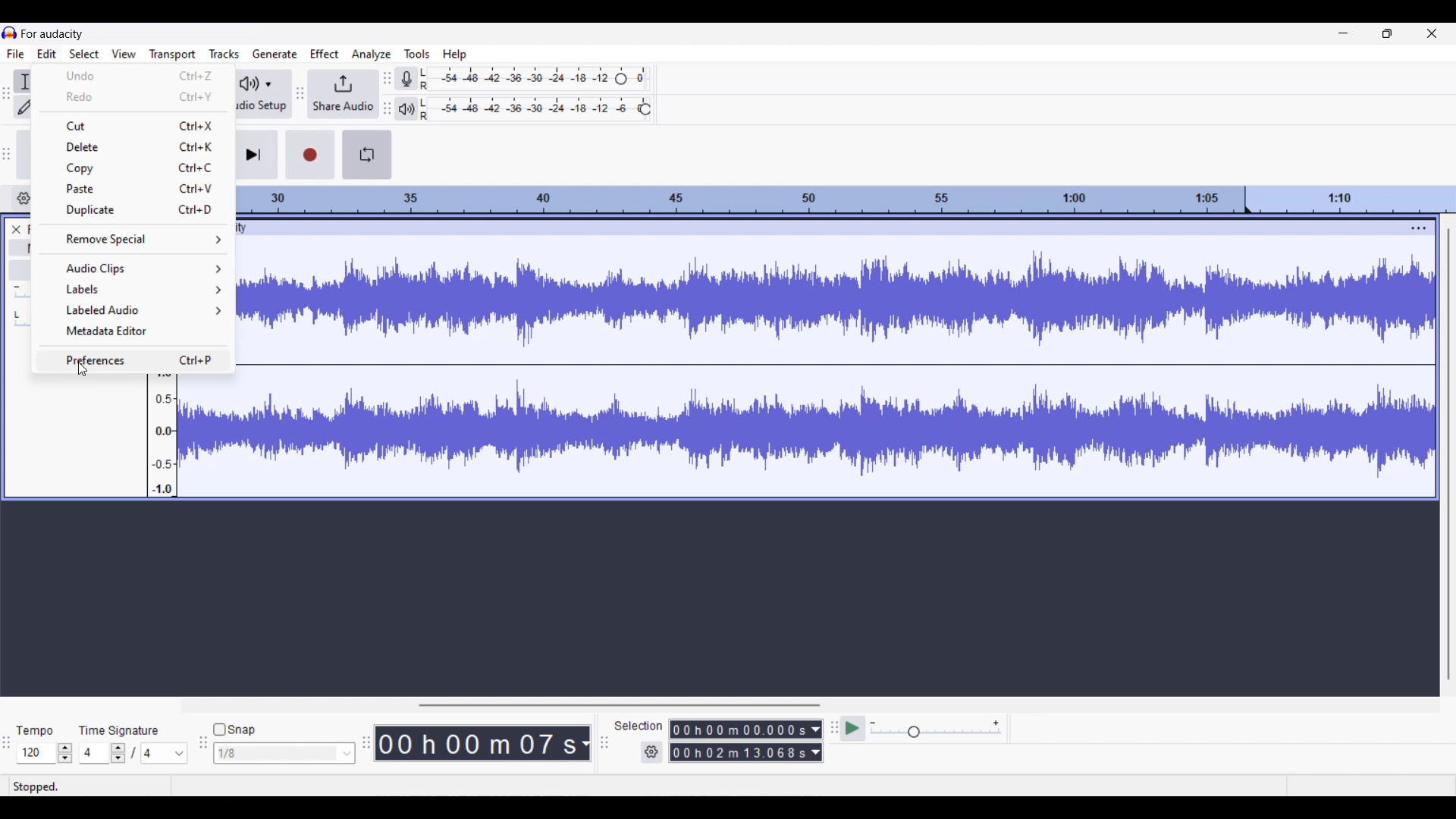 This screenshot has height=819, width=1456. What do you see at coordinates (134, 188) in the screenshot?
I see `Paste` at bounding box center [134, 188].